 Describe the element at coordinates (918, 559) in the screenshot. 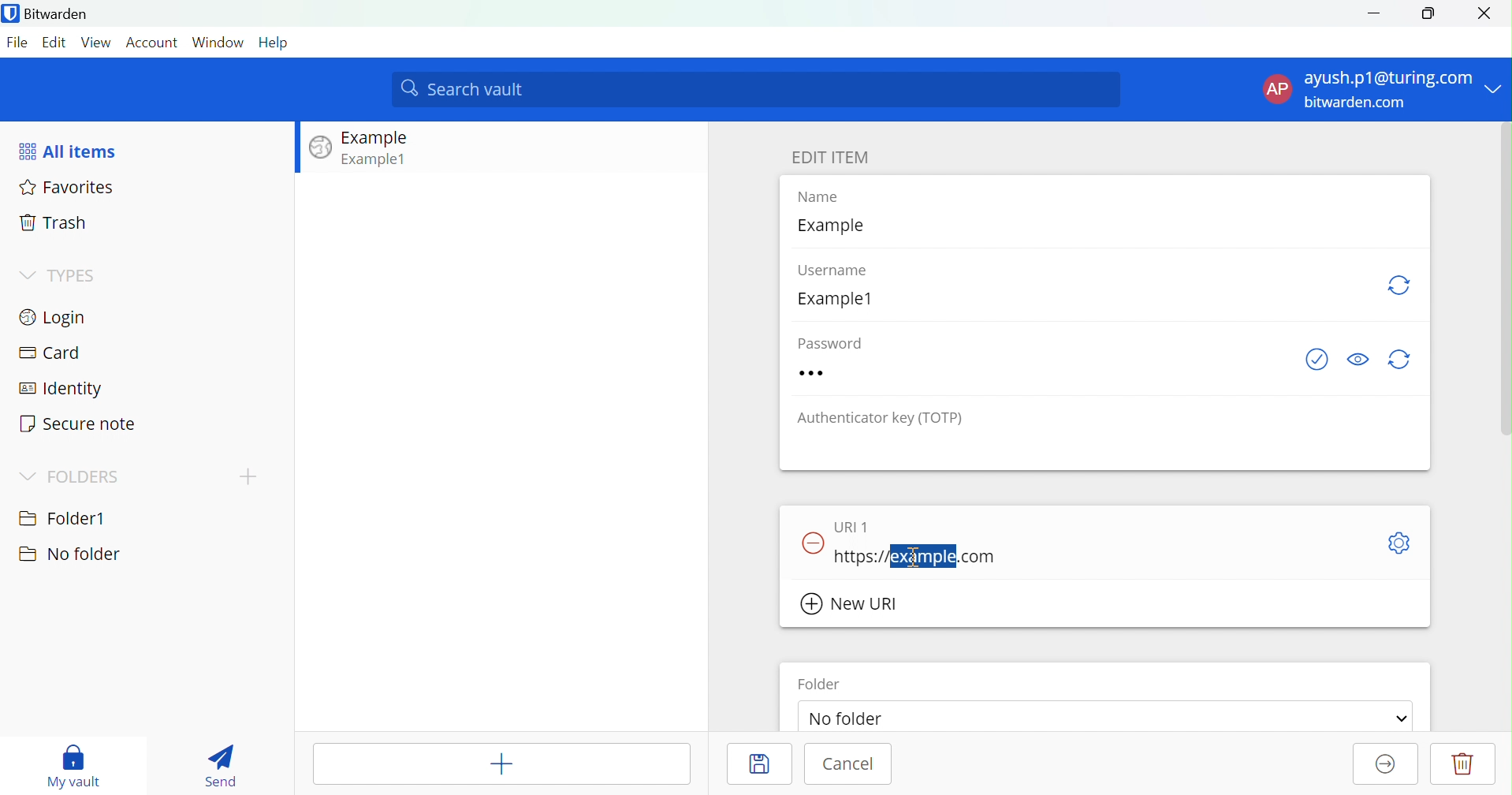

I see `https://example.com` at that location.